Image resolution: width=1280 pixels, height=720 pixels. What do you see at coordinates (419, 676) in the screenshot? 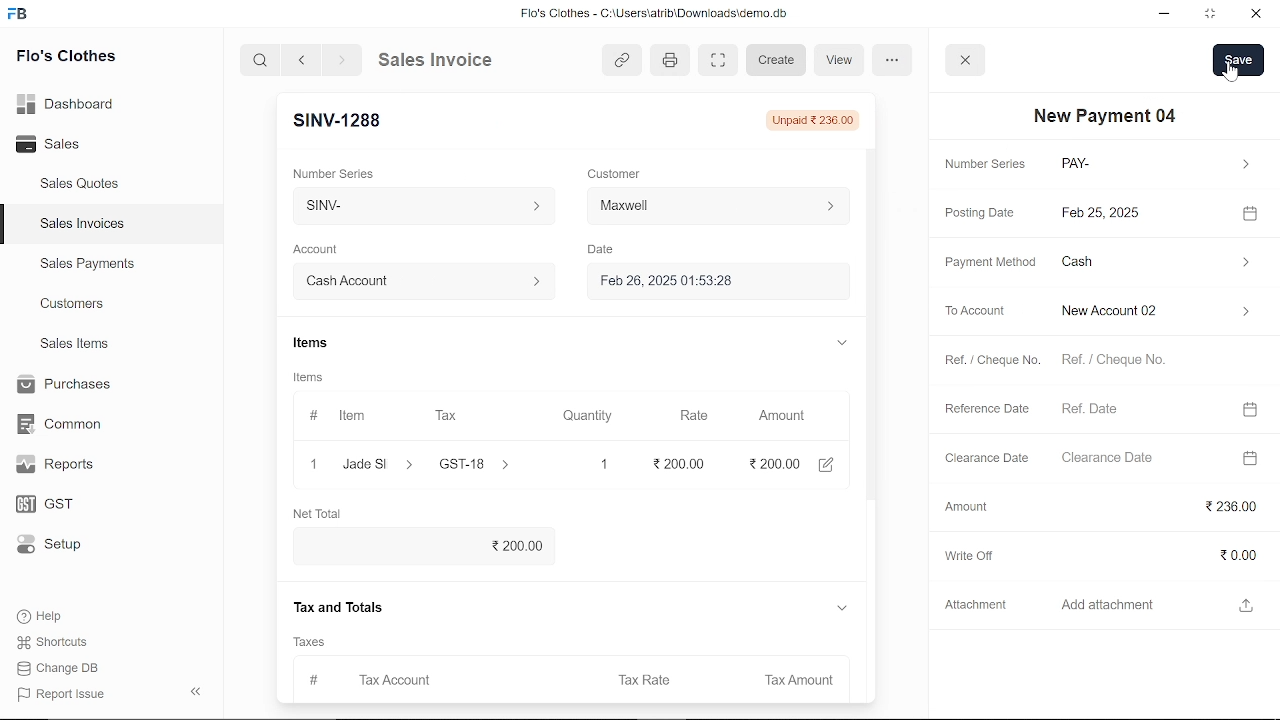
I see `Tax Account` at bounding box center [419, 676].